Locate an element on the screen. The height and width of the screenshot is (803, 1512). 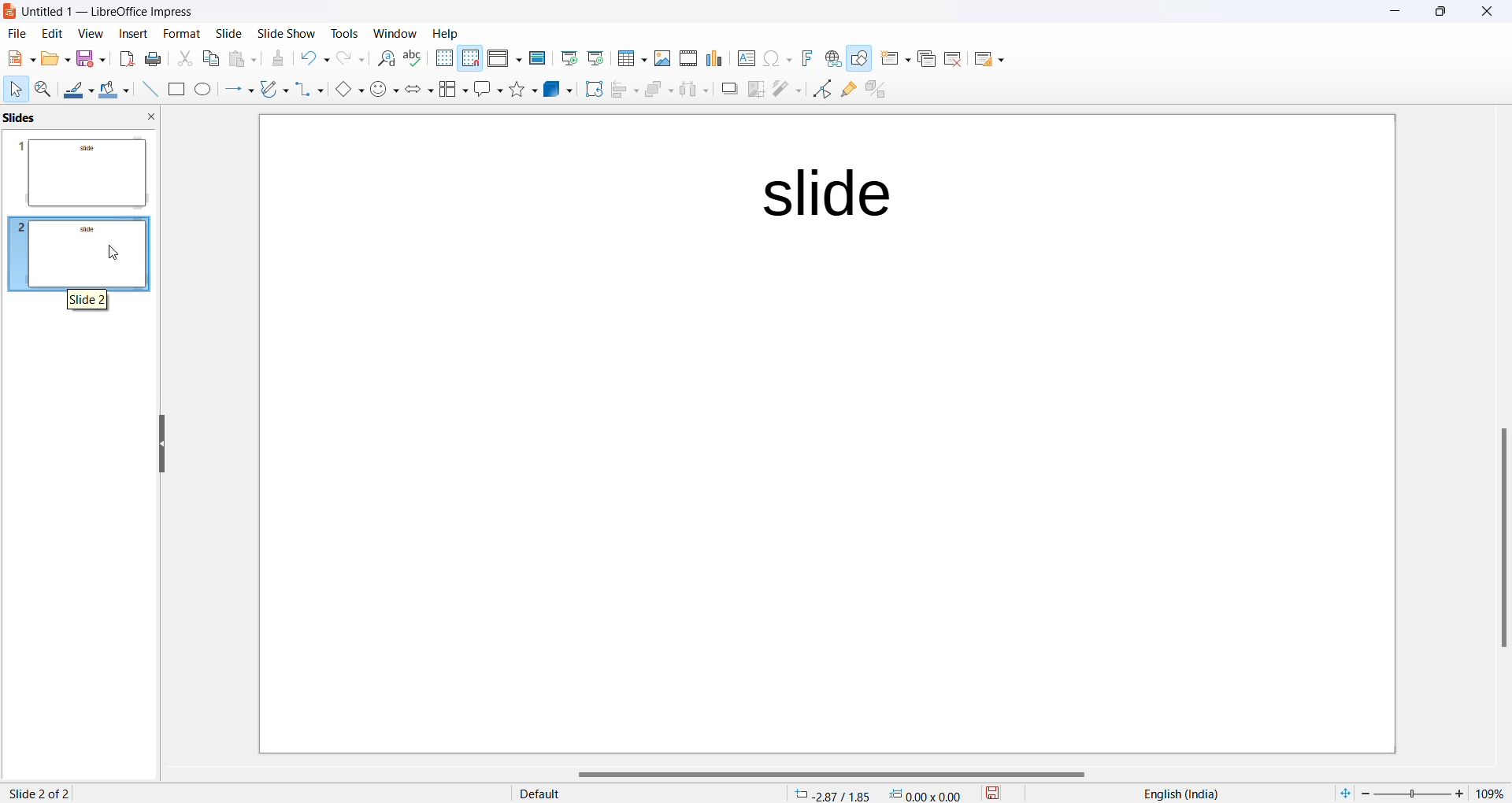
New slide is located at coordinates (892, 60).